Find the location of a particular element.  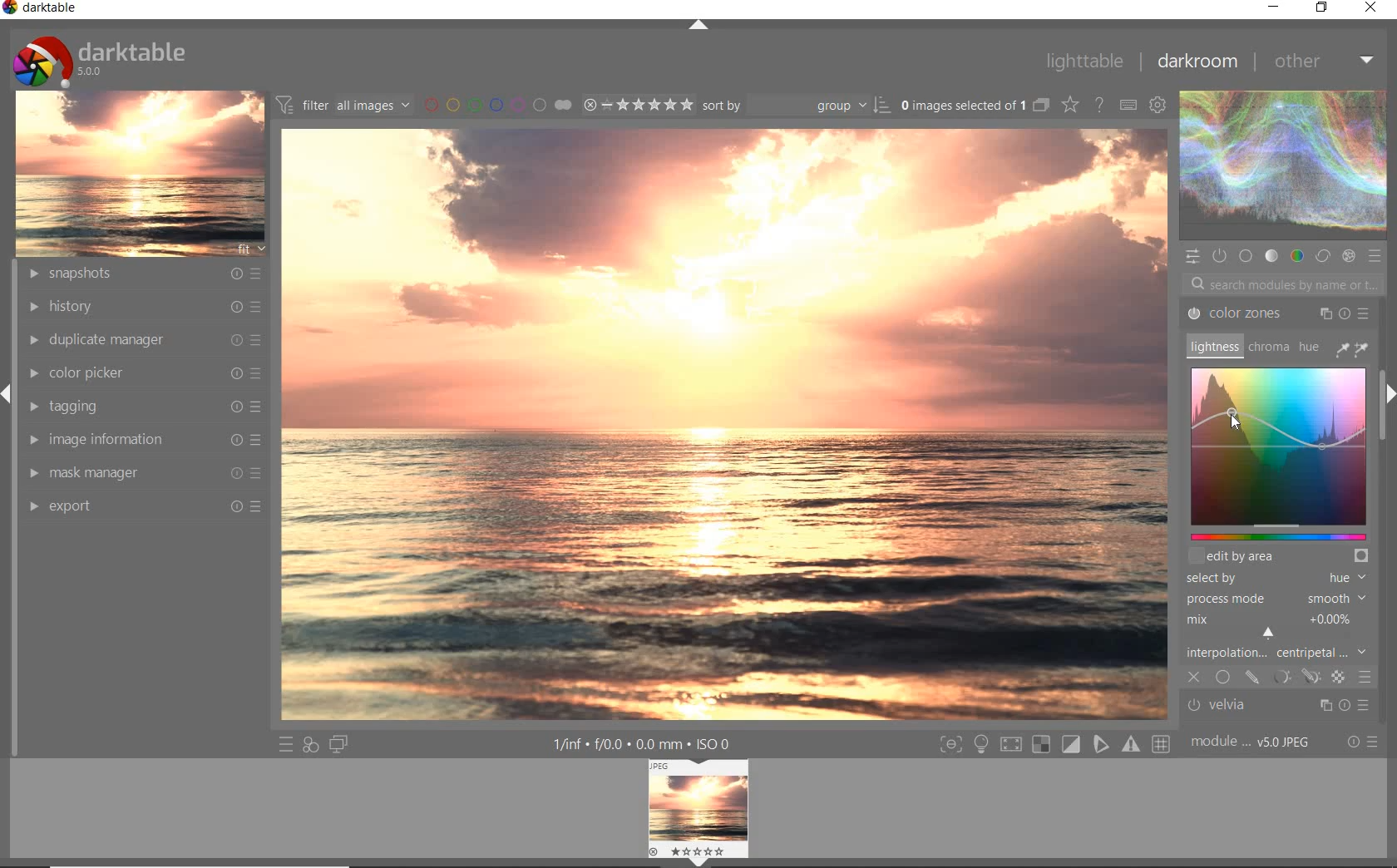

CURSOR POSITION is located at coordinates (1232, 417).